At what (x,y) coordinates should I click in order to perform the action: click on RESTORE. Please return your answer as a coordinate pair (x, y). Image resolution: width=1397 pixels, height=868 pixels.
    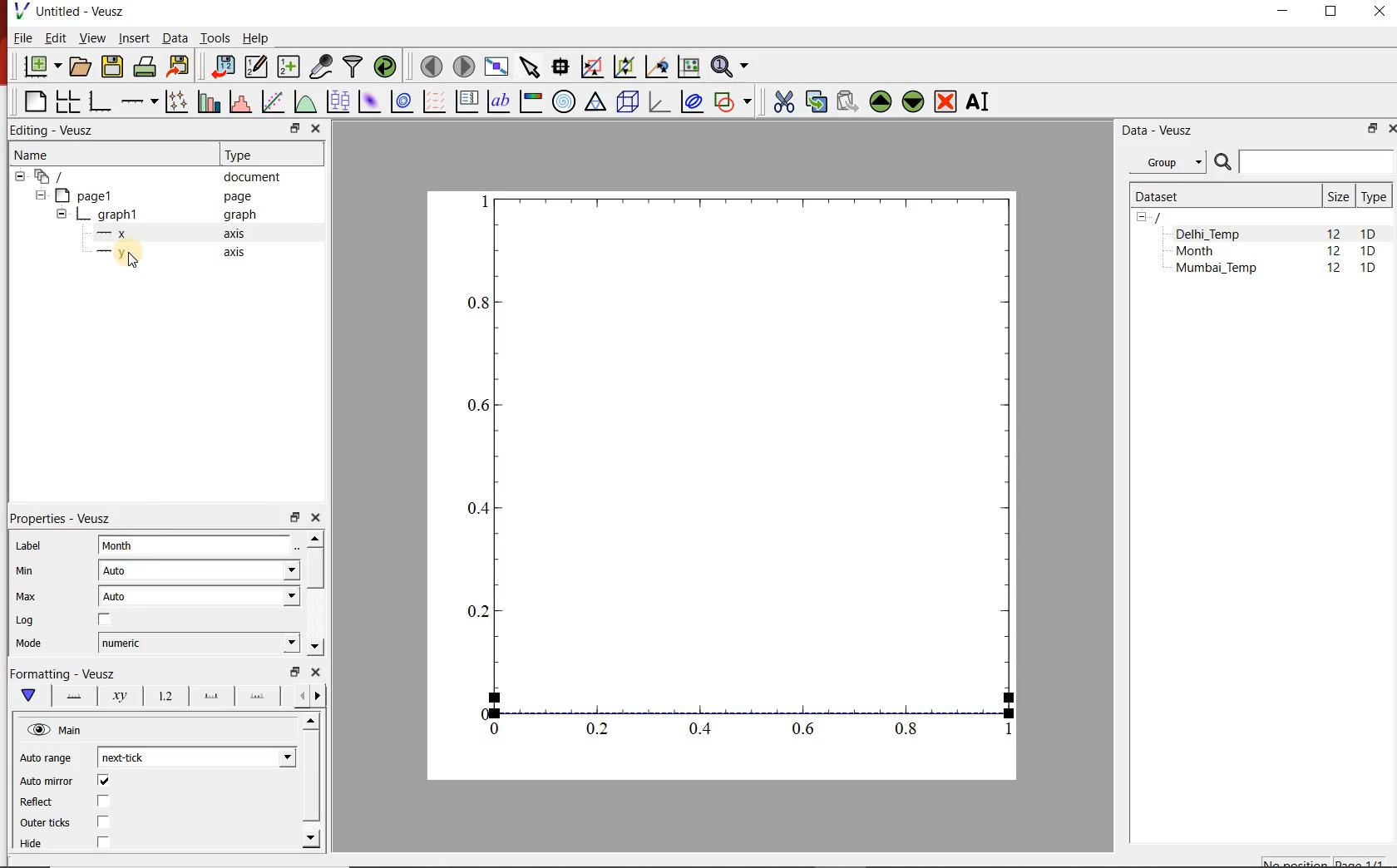
    Looking at the image, I should click on (1331, 12).